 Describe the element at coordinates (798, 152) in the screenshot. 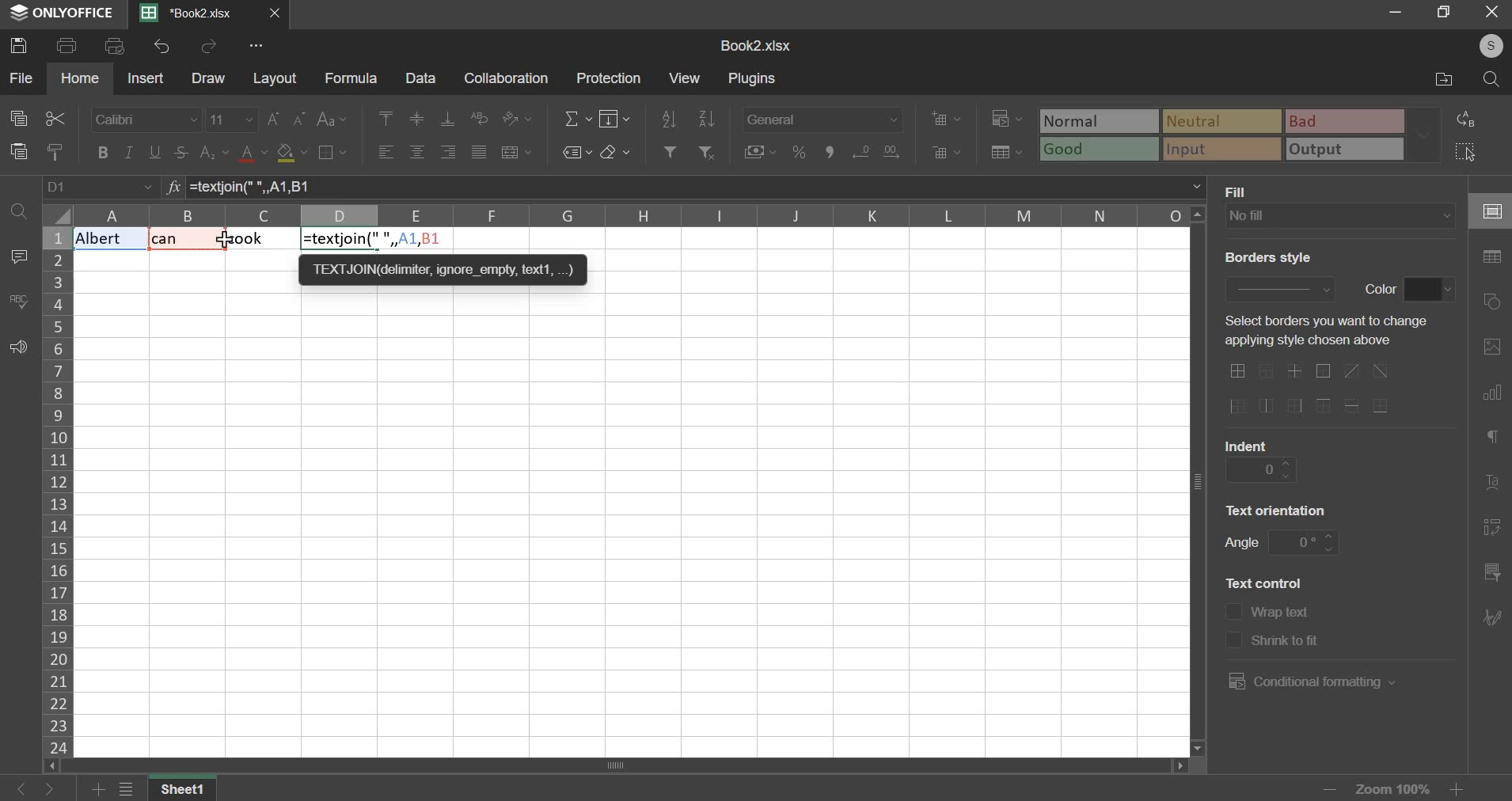

I see `percentage` at that location.